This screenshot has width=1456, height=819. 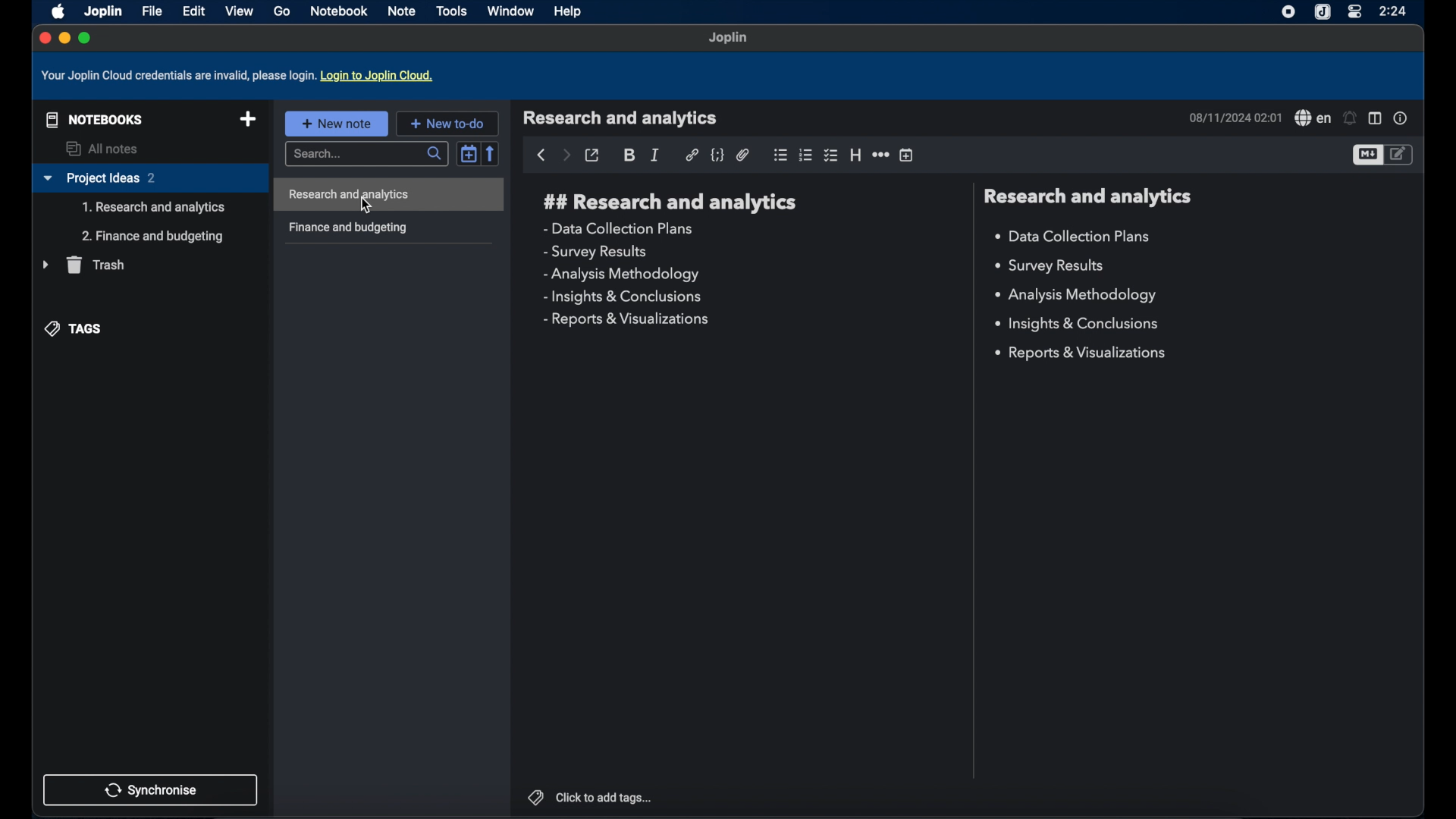 What do you see at coordinates (240, 76) in the screenshot?
I see `your joplin cloud credentials are invalid, please log in.  Login to joplin cloud` at bounding box center [240, 76].